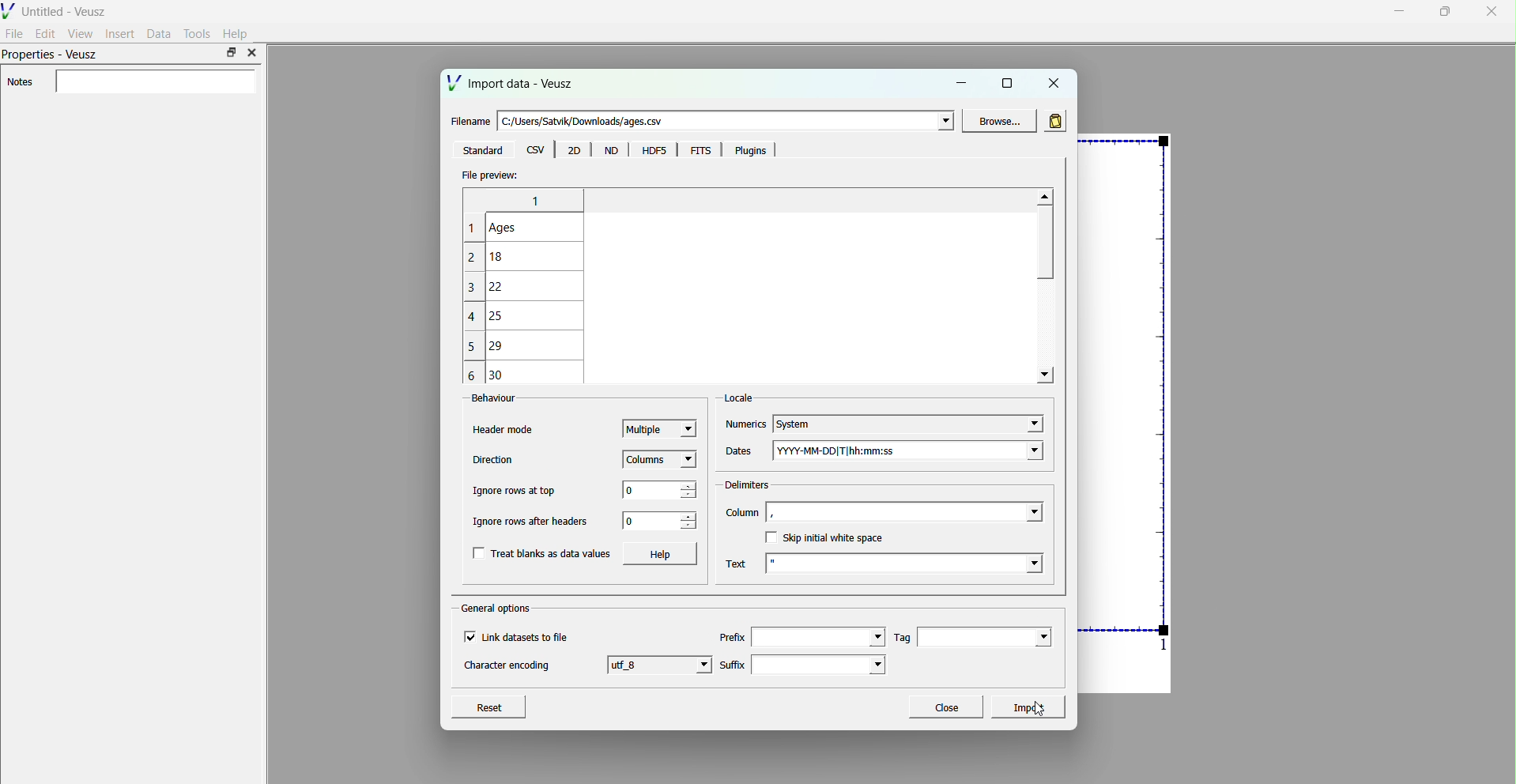  I want to click on Close, so click(945, 705).